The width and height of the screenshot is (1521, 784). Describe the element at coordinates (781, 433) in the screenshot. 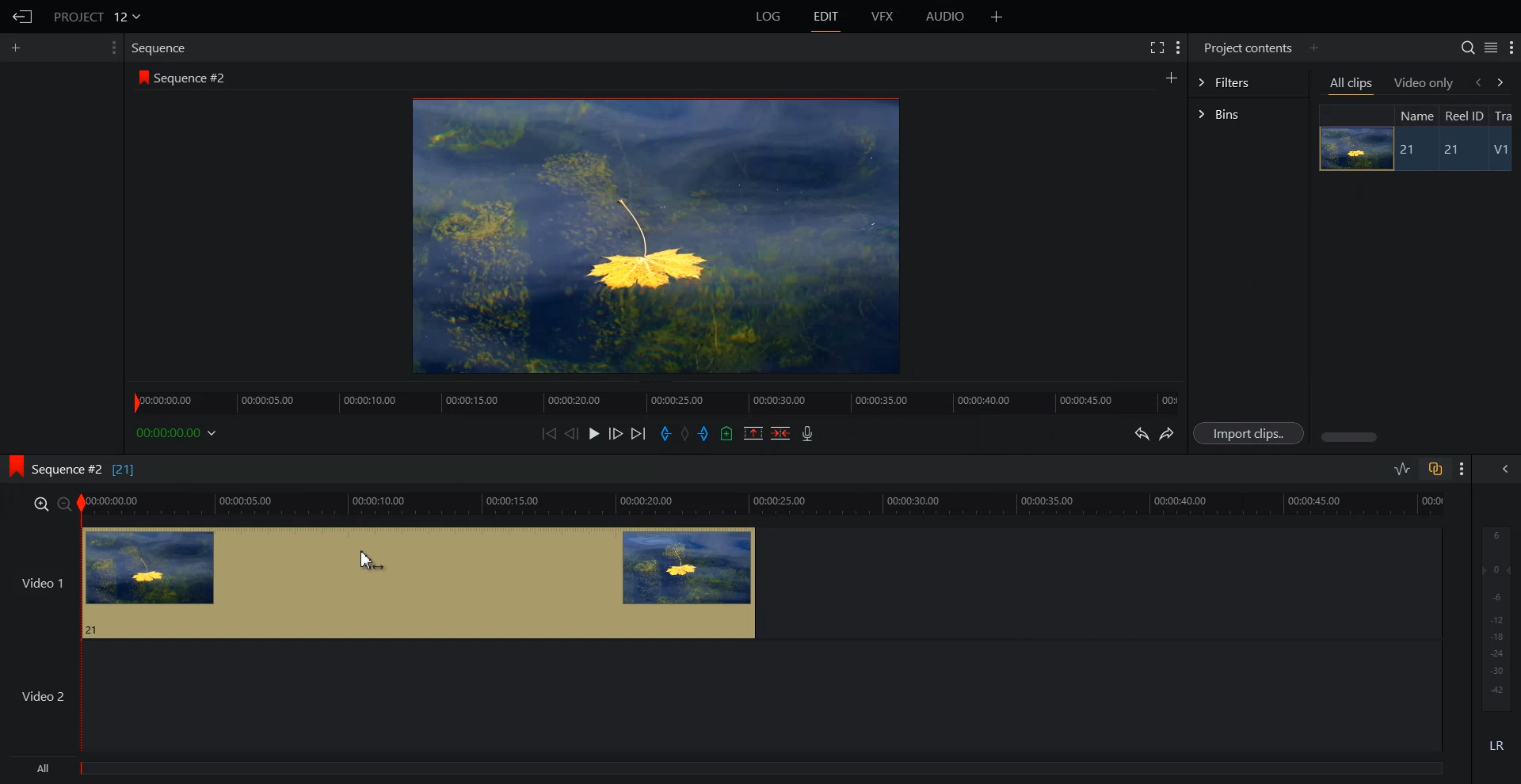

I see `Delete` at that location.